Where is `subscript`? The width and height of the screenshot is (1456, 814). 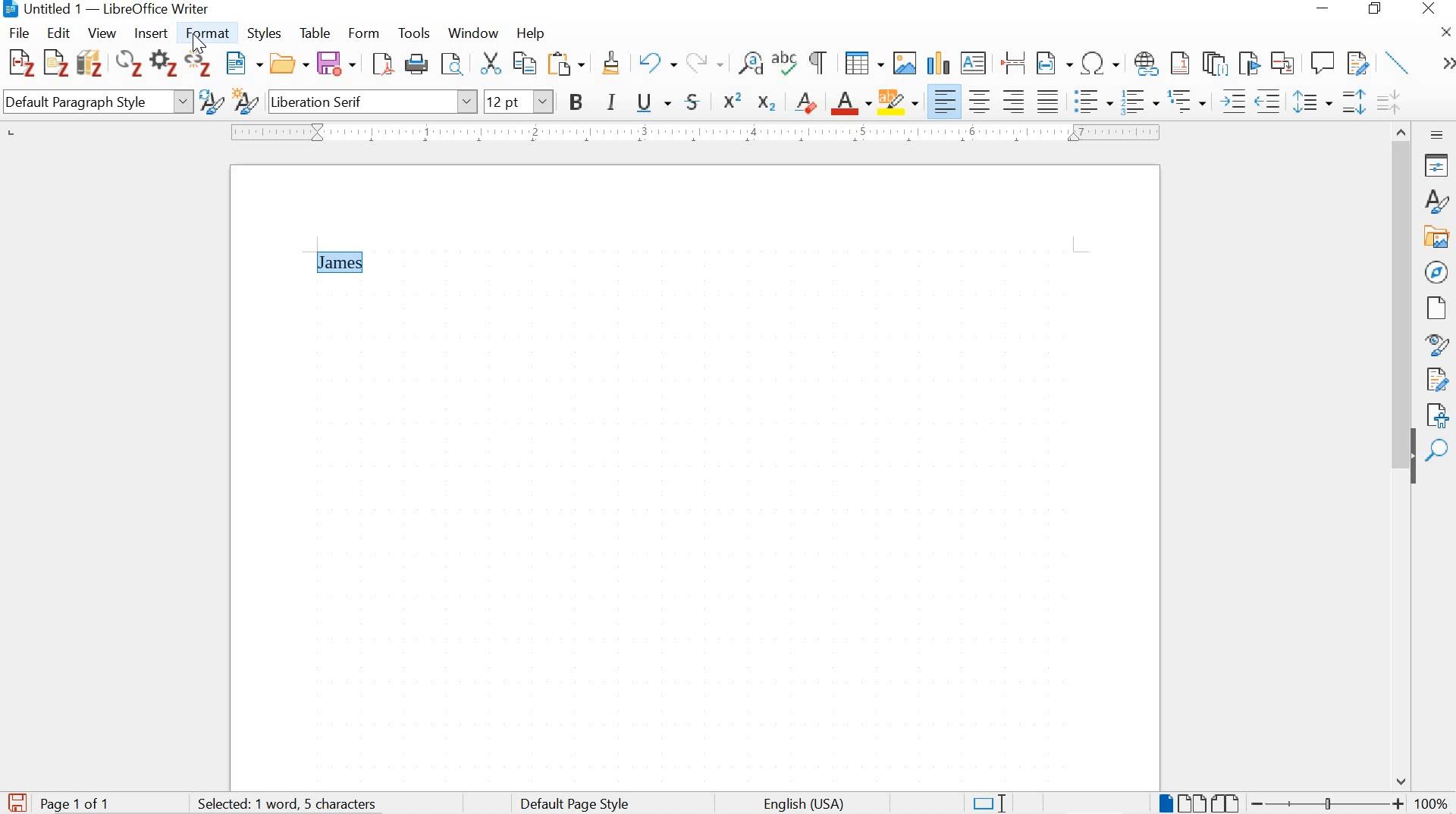 subscript is located at coordinates (765, 103).